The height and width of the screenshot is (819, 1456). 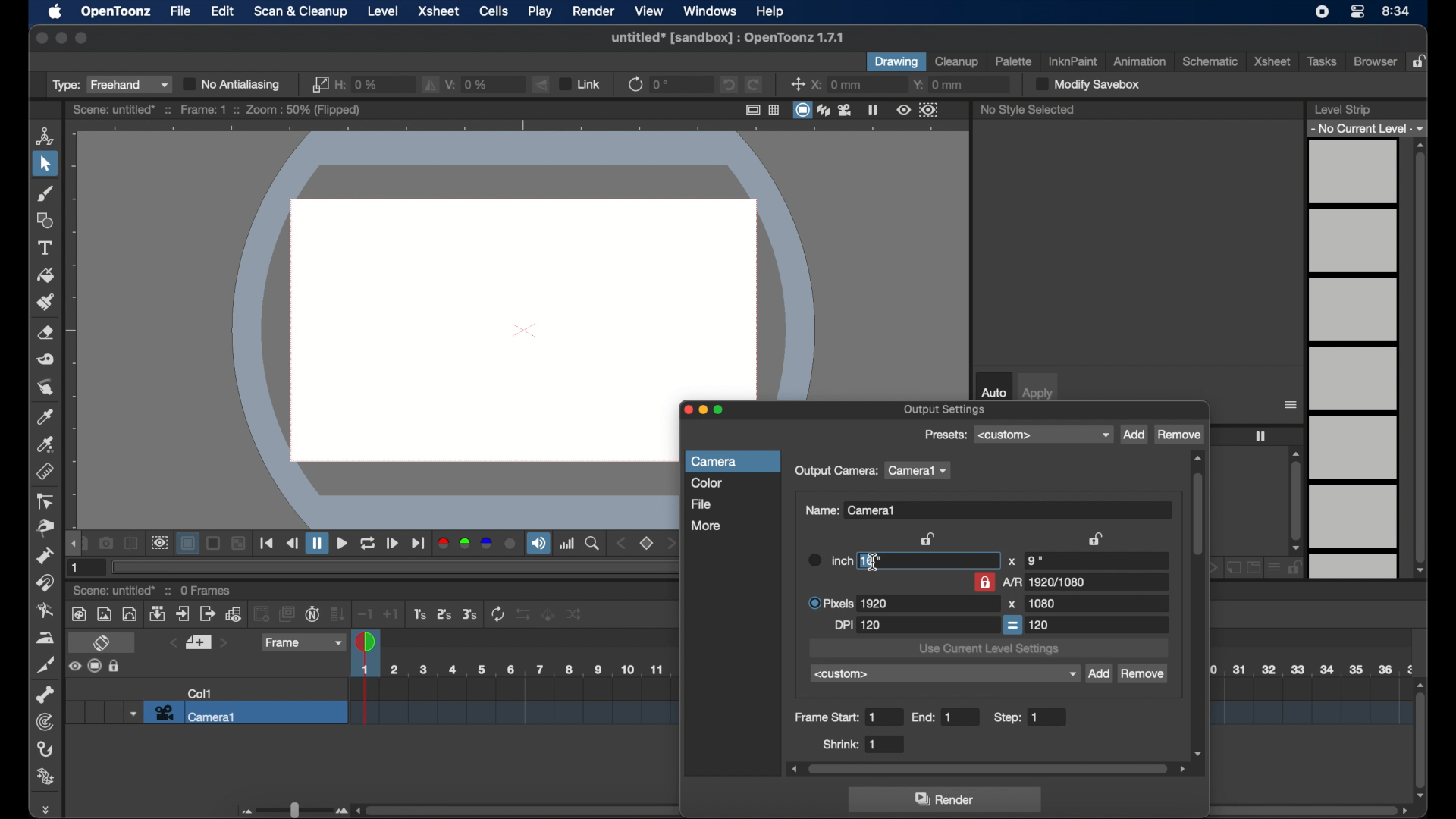 What do you see at coordinates (131, 713) in the screenshot?
I see `dropdown` at bounding box center [131, 713].